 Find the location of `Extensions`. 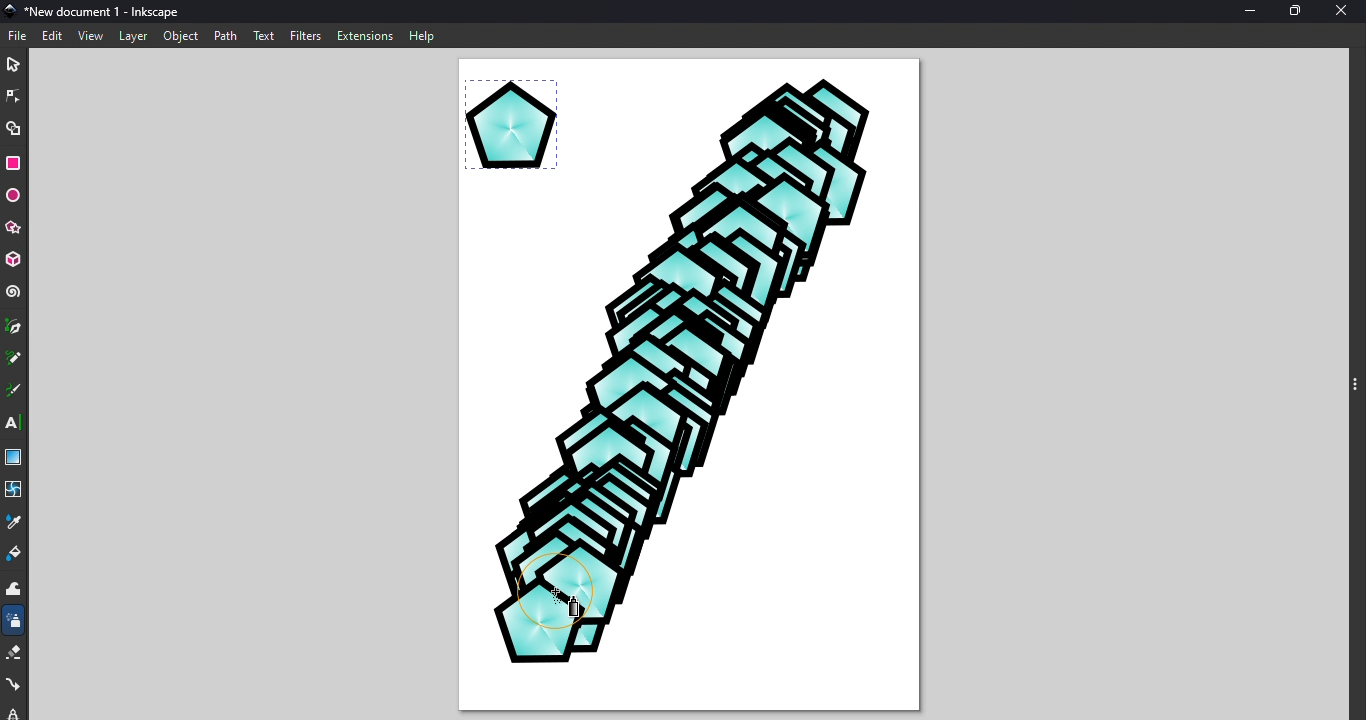

Extensions is located at coordinates (363, 35).